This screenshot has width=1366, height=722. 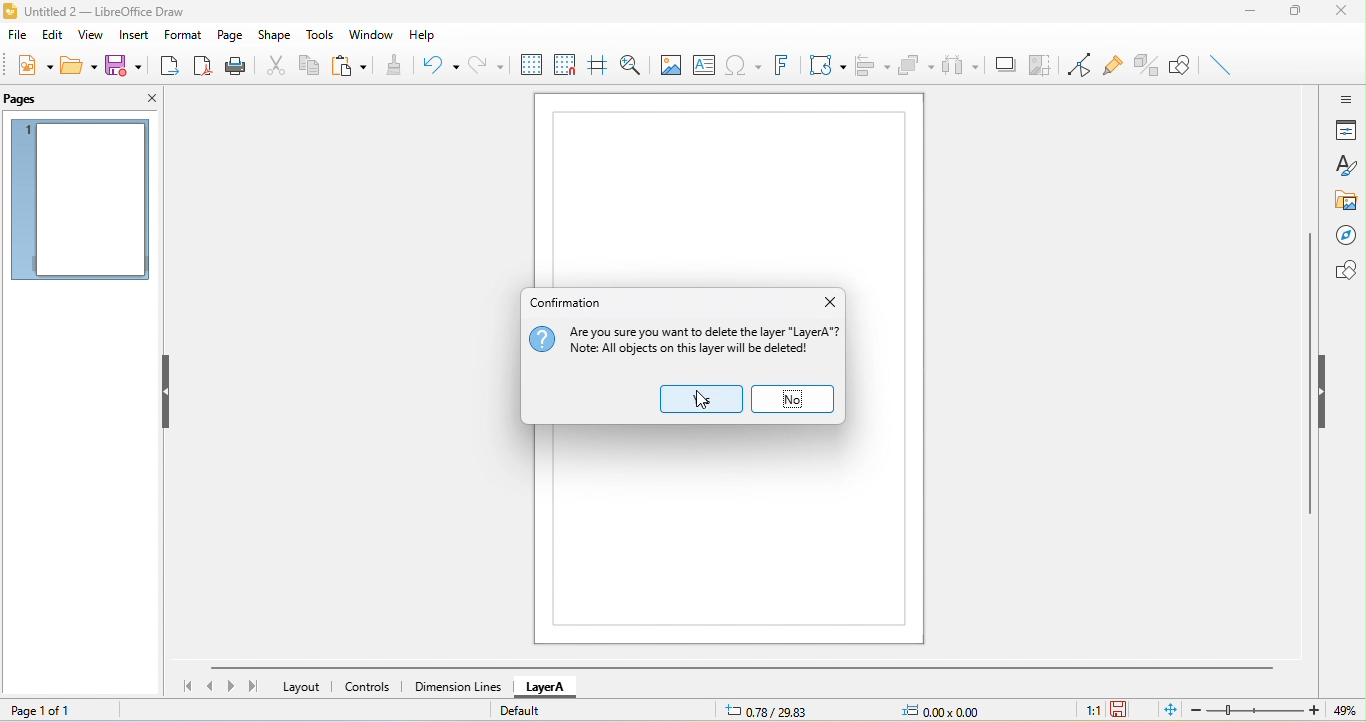 What do you see at coordinates (1294, 14) in the screenshot?
I see `maximize` at bounding box center [1294, 14].